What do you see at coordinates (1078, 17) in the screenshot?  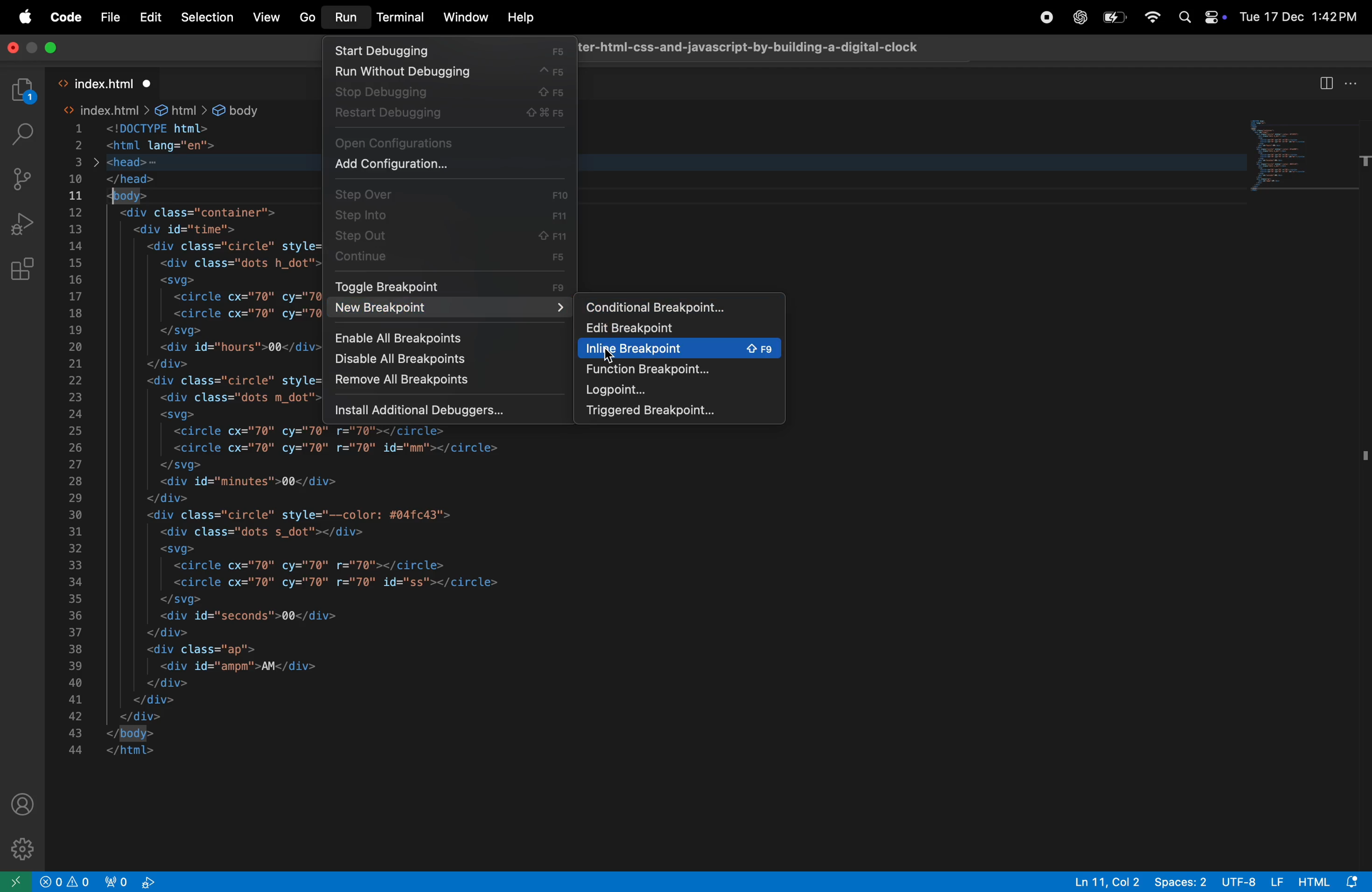 I see `chatgpt` at bounding box center [1078, 17].